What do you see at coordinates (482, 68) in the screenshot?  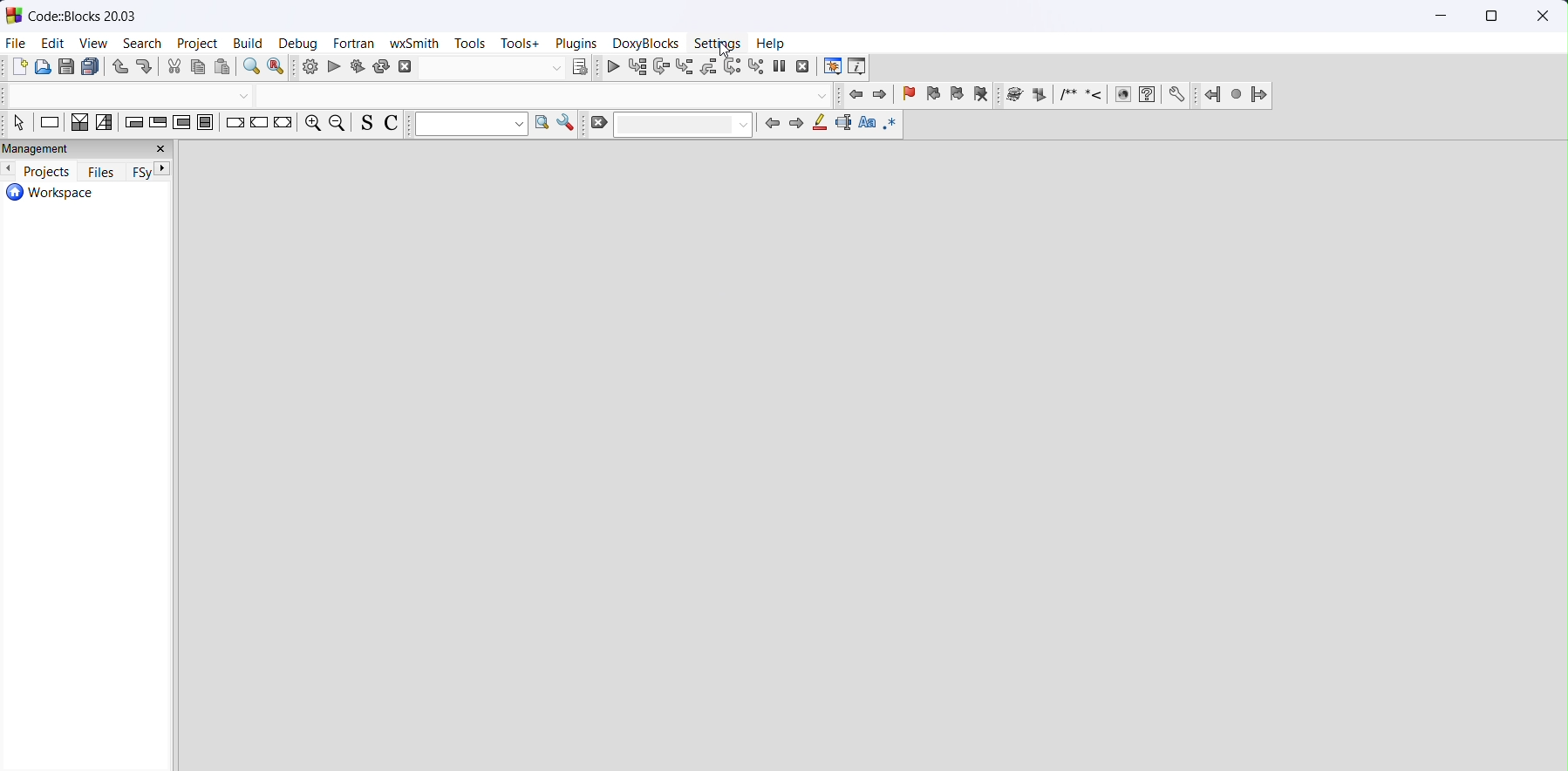 I see `abort` at bounding box center [482, 68].